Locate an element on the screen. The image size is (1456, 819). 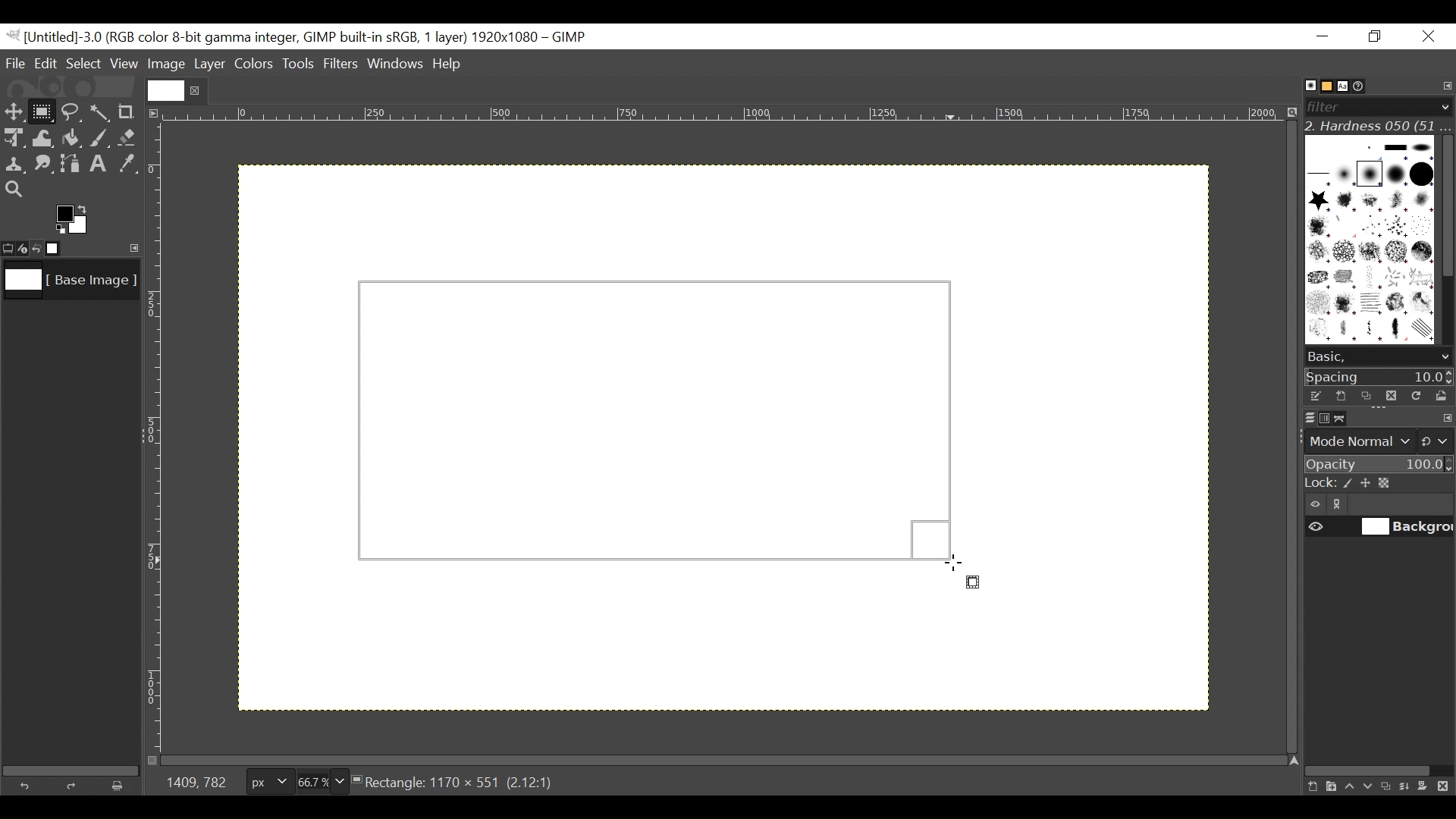
Paths is located at coordinates (1344, 419).